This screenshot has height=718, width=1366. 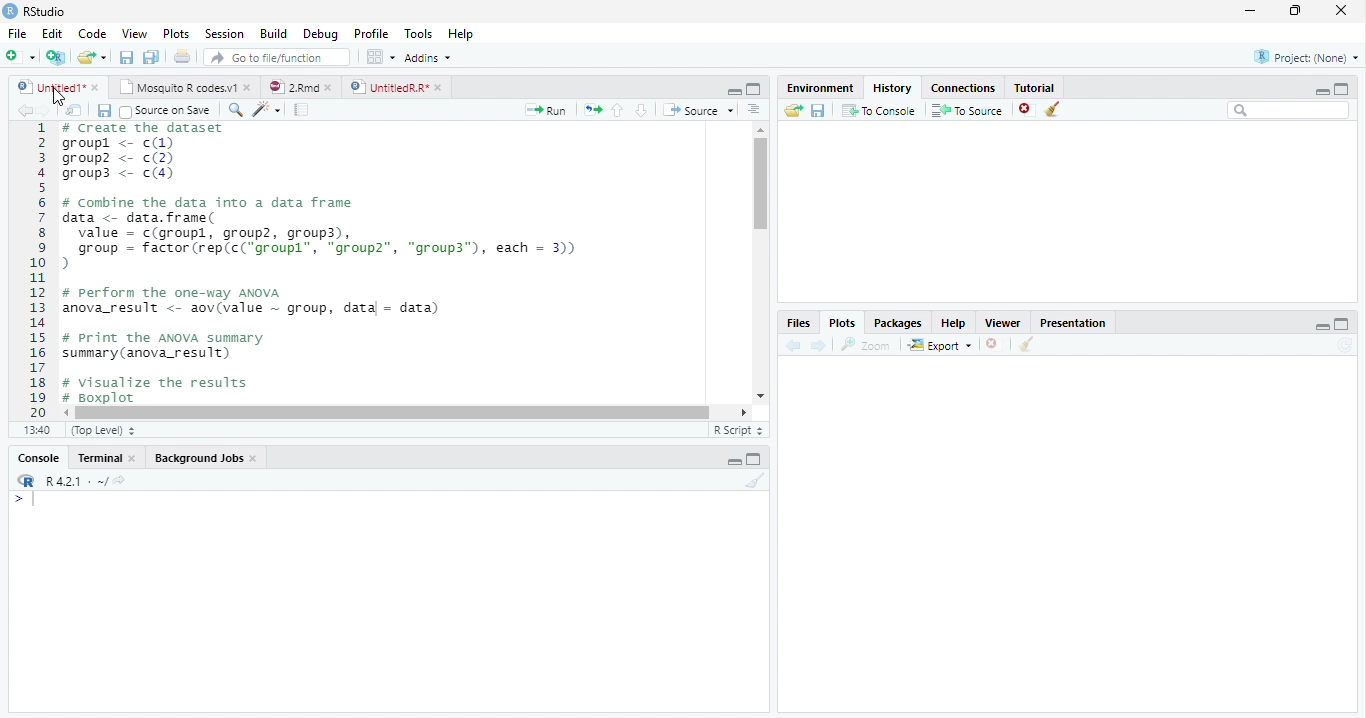 What do you see at coordinates (26, 111) in the screenshot?
I see `Back ` at bounding box center [26, 111].